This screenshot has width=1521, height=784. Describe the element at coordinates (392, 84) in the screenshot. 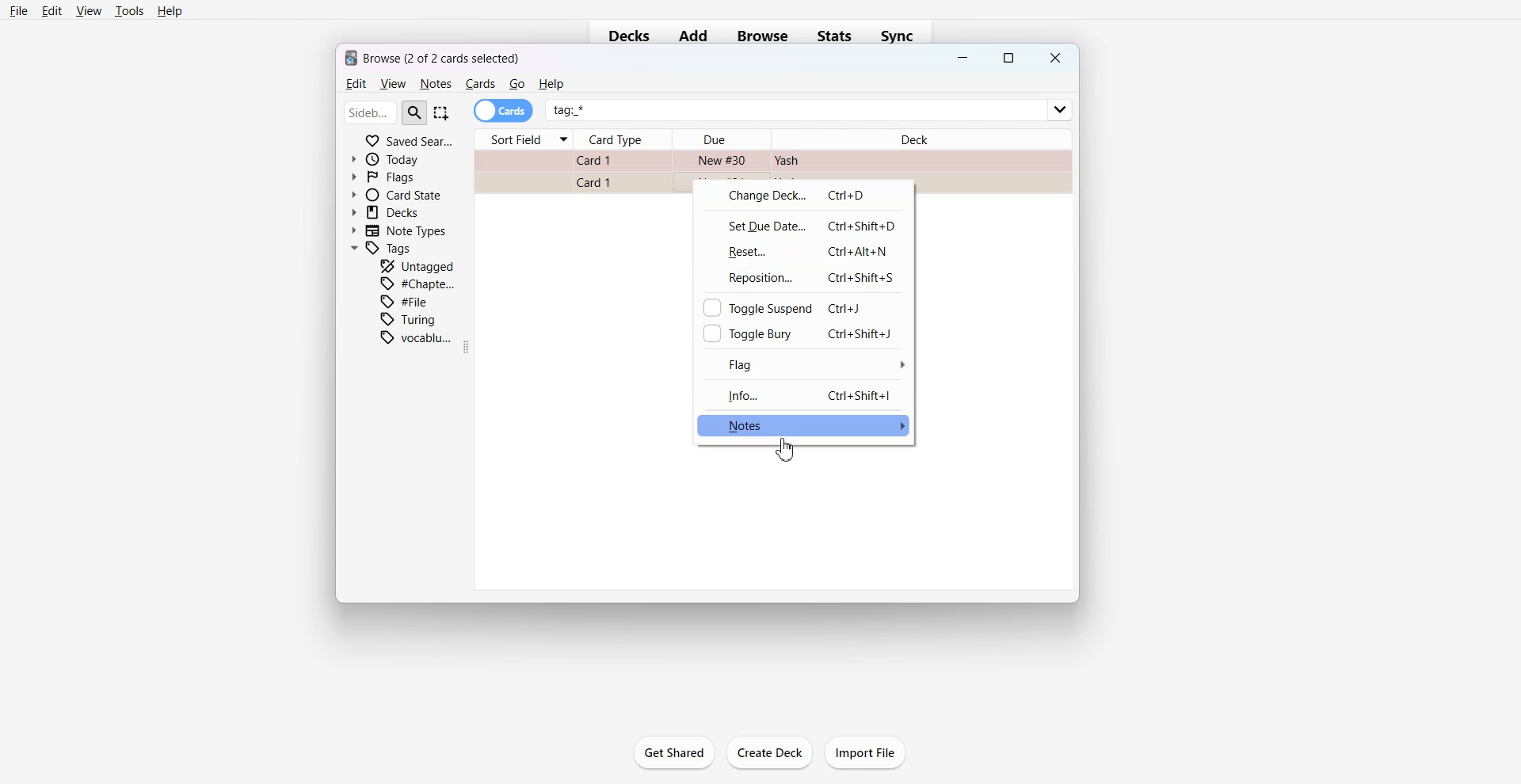

I see `View` at that location.